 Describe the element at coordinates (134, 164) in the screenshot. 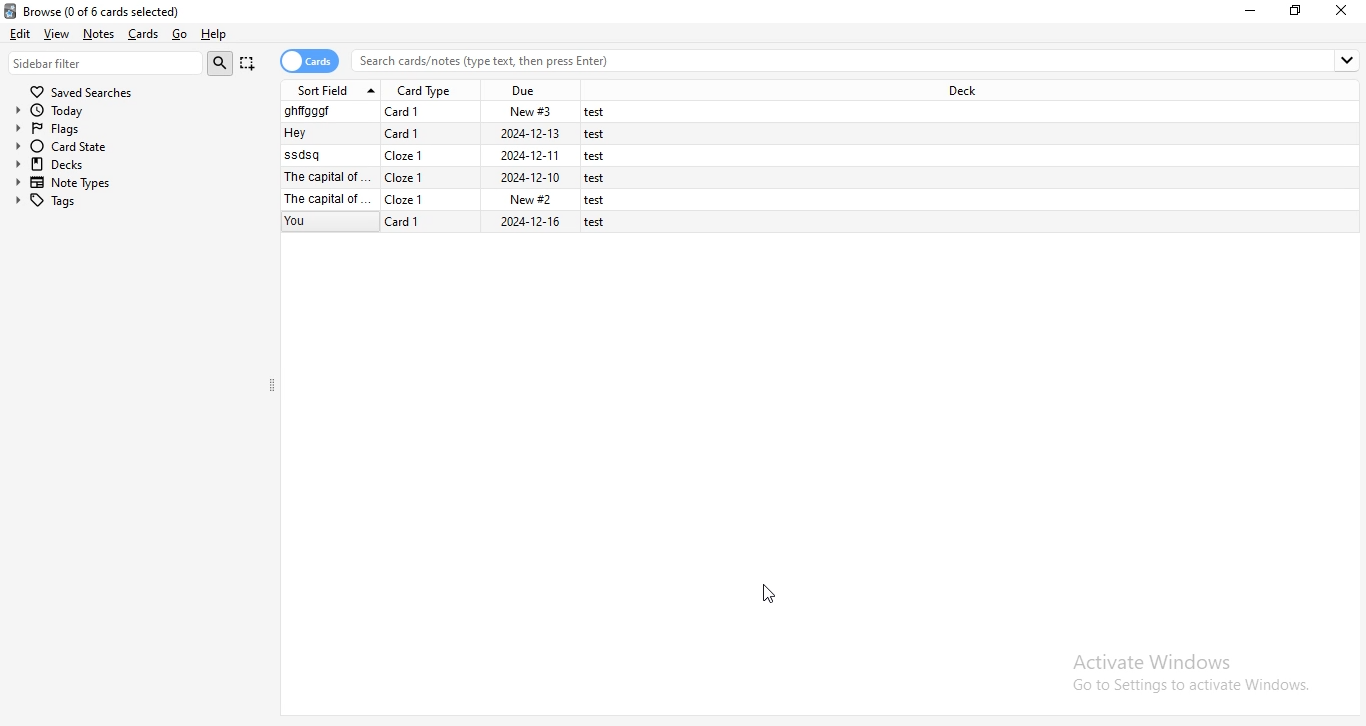

I see `decks` at that location.